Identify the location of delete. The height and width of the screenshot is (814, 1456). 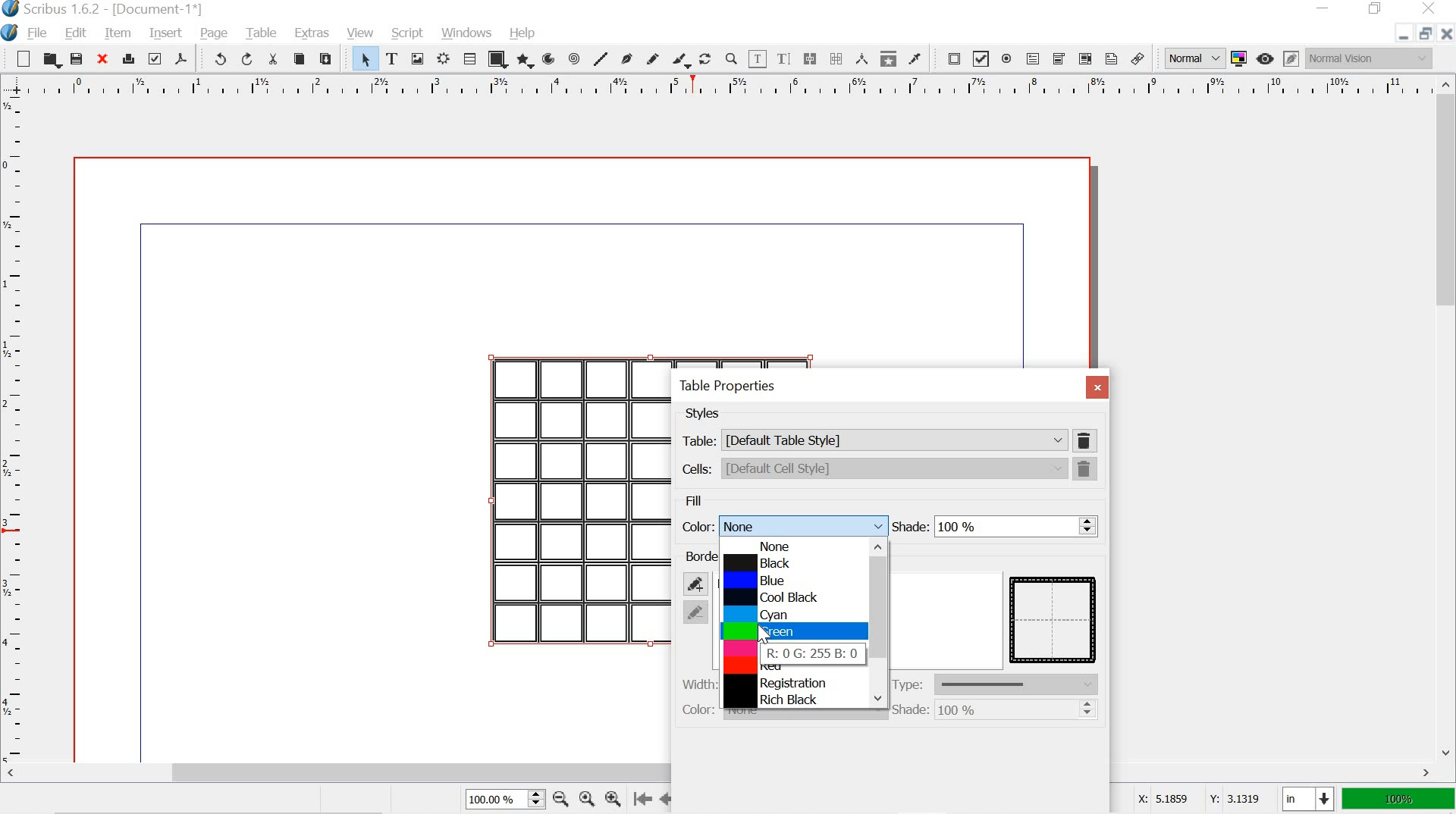
(1087, 440).